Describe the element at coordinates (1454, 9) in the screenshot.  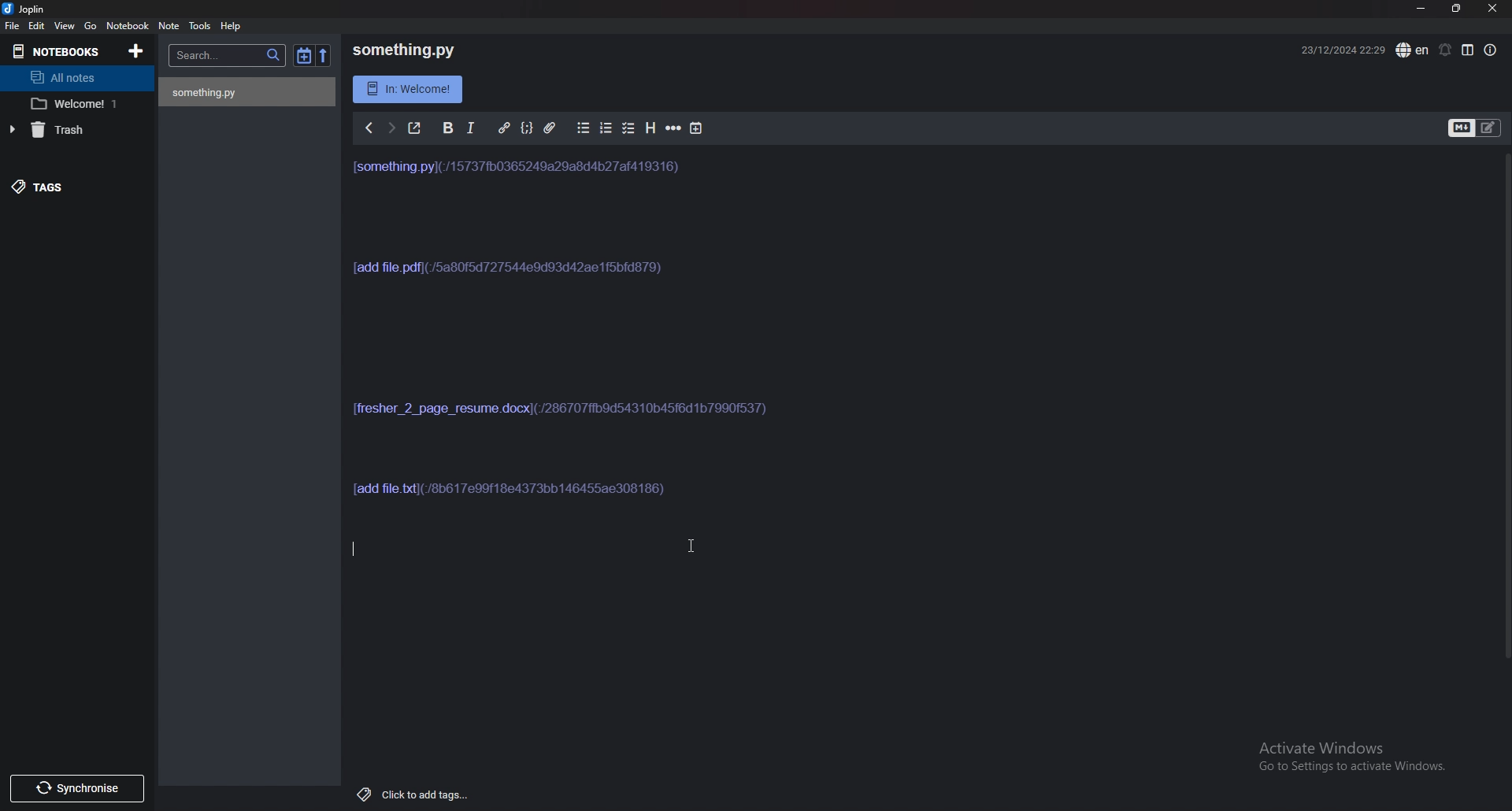
I see `Resize` at that location.